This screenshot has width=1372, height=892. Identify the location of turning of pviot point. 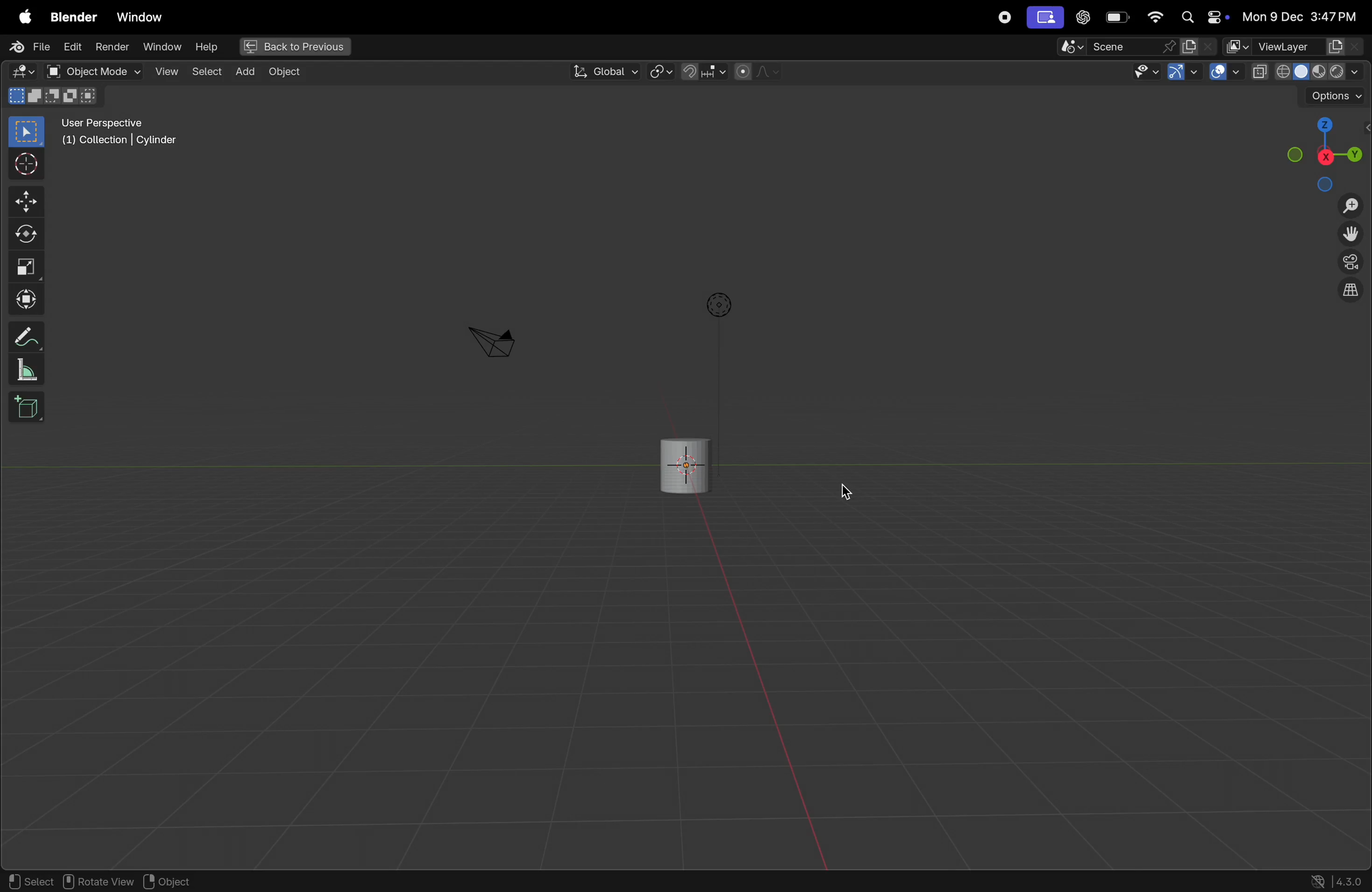
(661, 70).